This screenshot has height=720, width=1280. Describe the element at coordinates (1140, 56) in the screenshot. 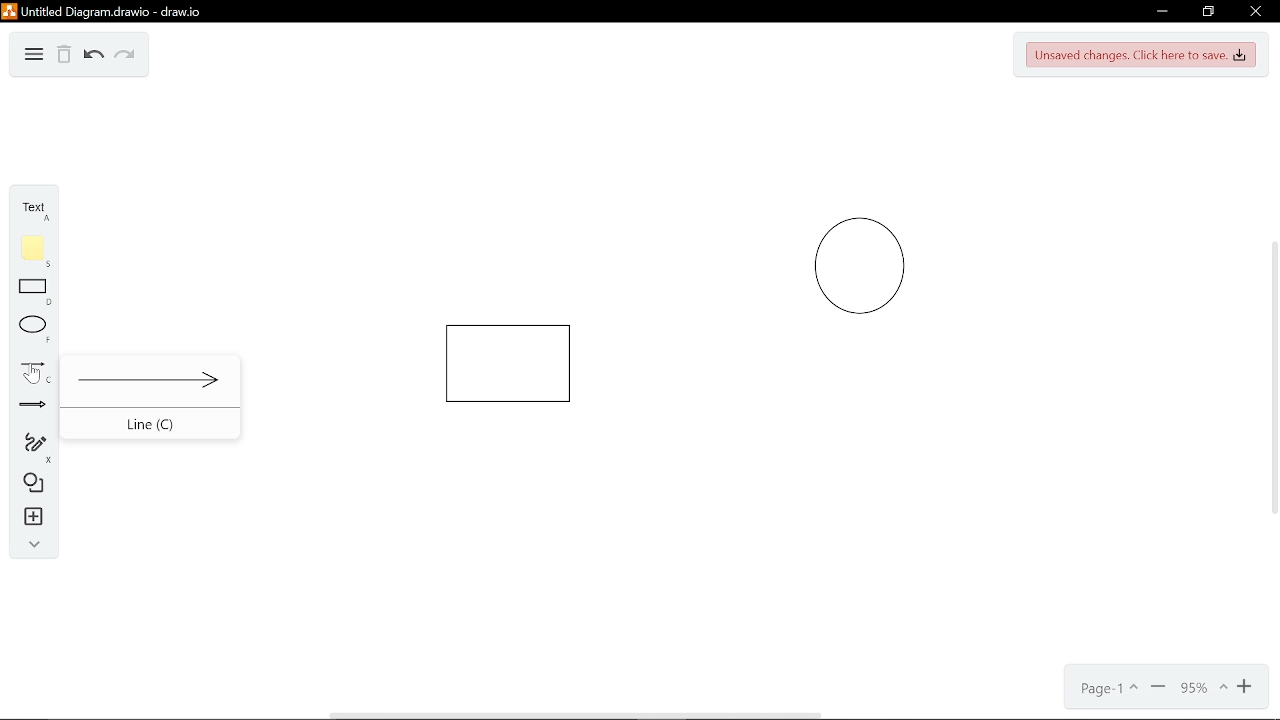

I see `unsaved changes. Click here to save.` at that location.